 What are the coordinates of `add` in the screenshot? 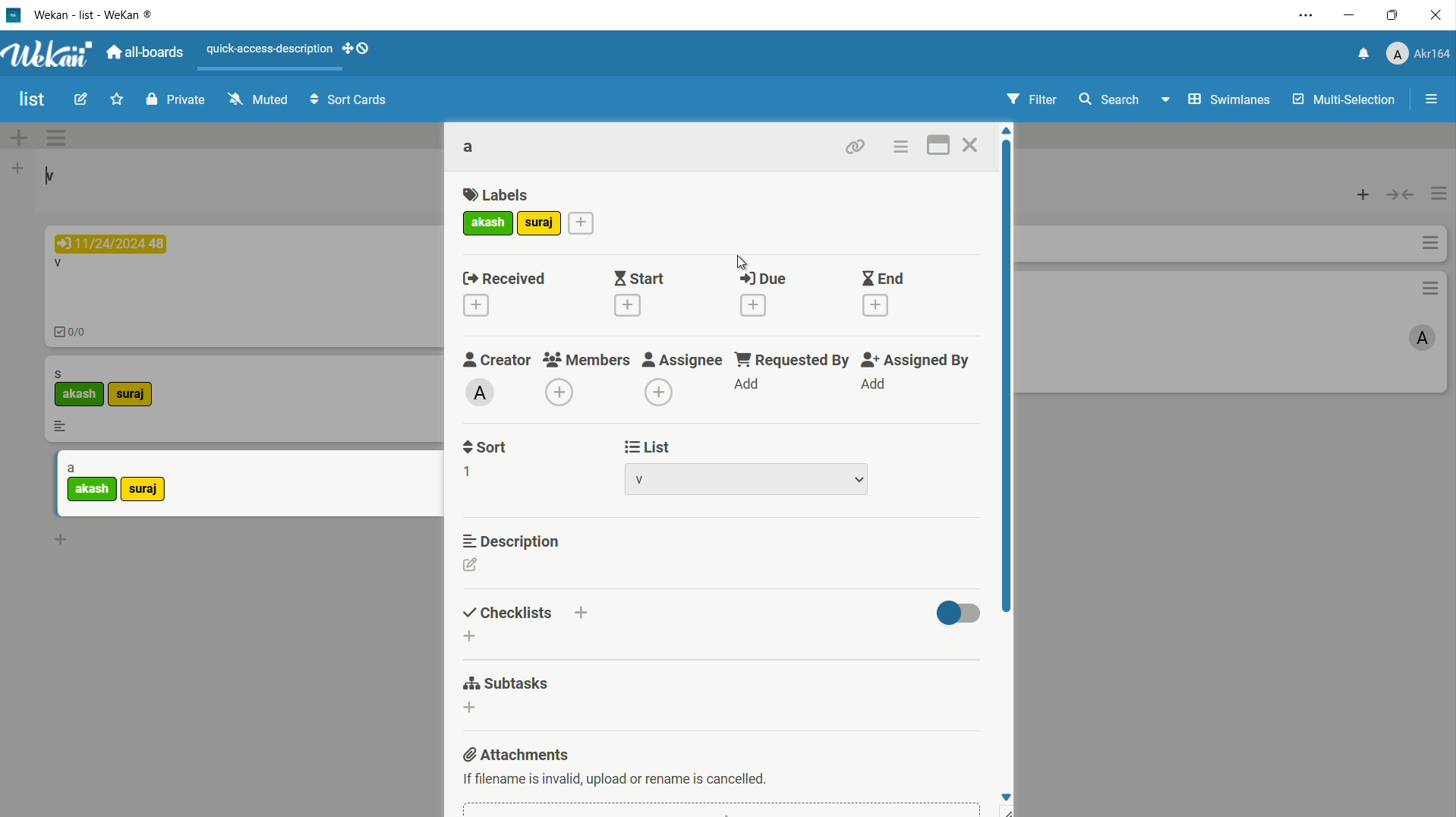 It's located at (14, 172).